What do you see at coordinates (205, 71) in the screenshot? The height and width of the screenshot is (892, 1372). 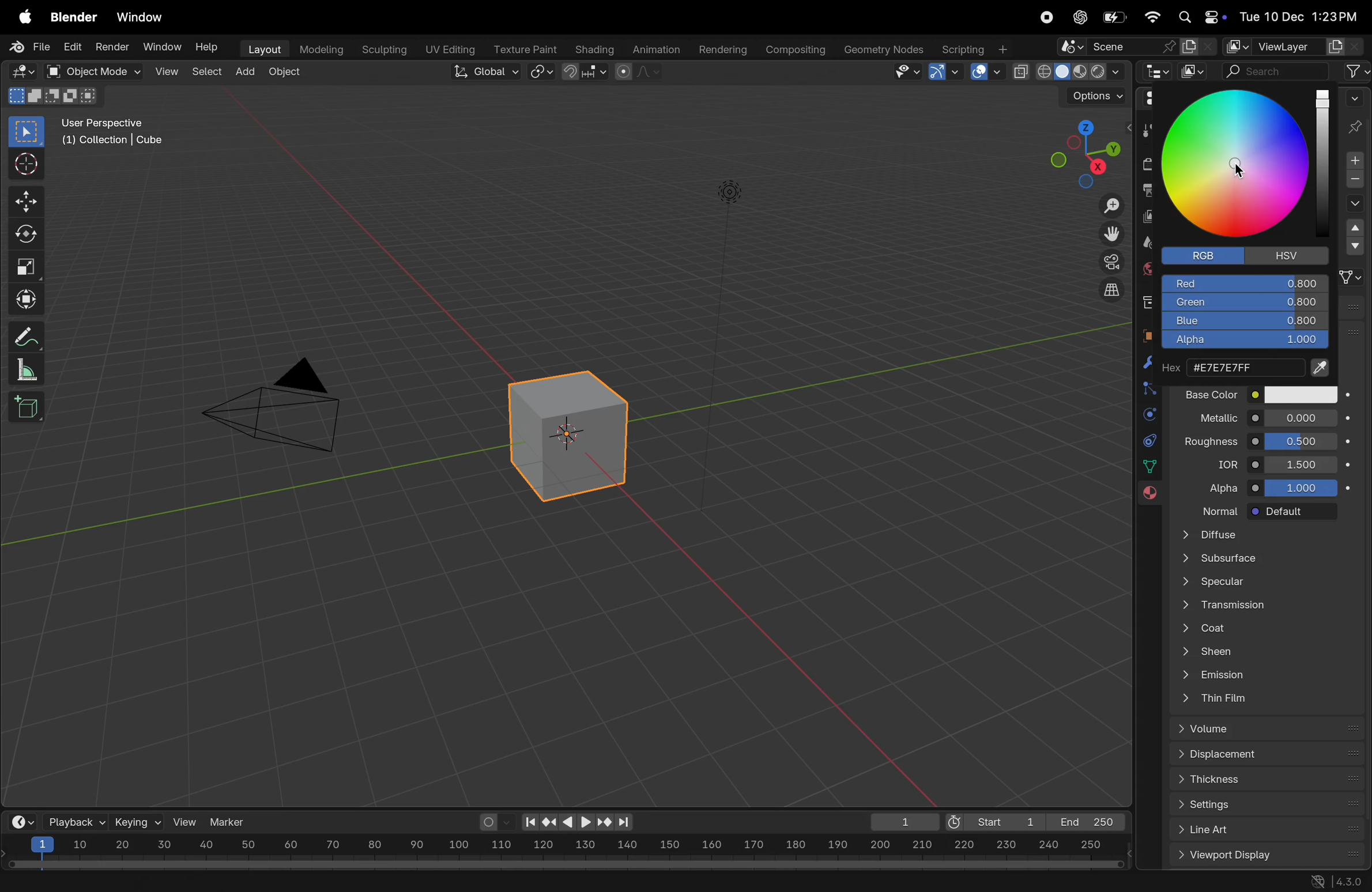 I see `select` at bounding box center [205, 71].